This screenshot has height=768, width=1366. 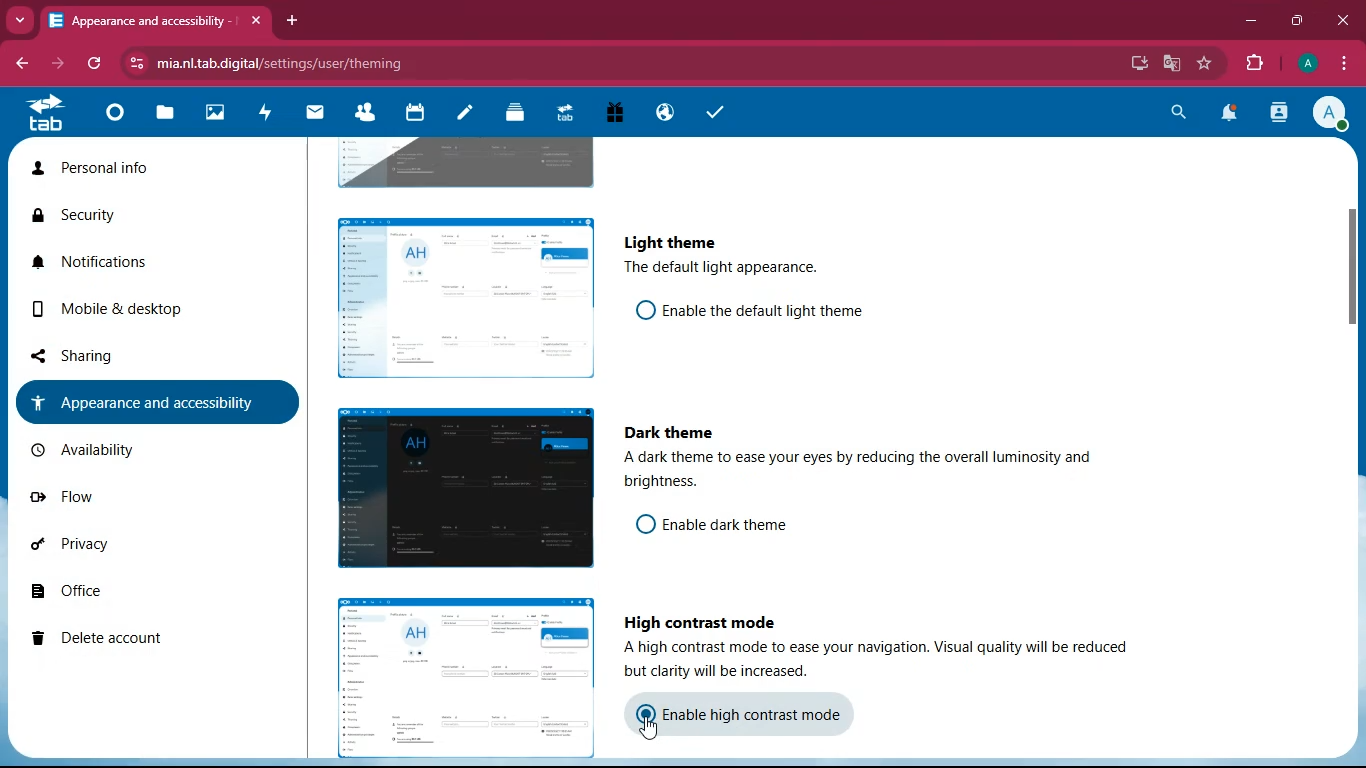 I want to click on on/off button, so click(x=638, y=309).